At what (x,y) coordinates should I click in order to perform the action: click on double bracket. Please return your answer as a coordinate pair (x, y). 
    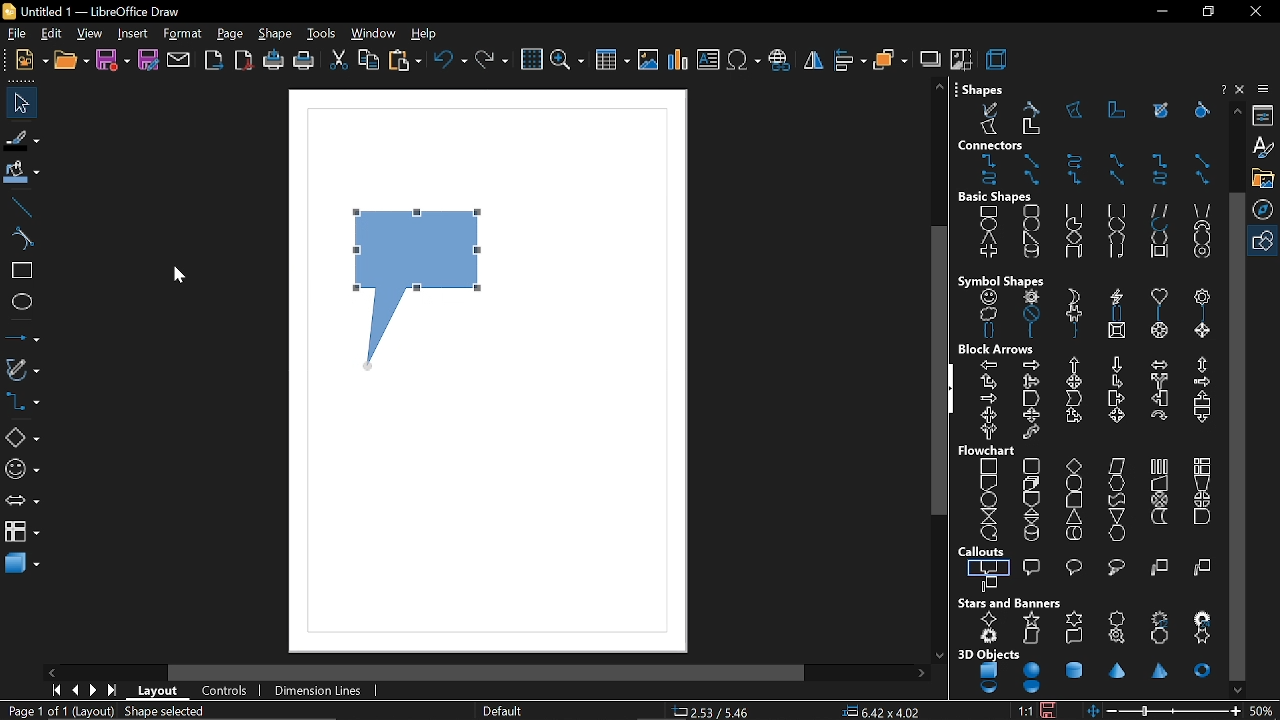
    Looking at the image, I should click on (1116, 316).